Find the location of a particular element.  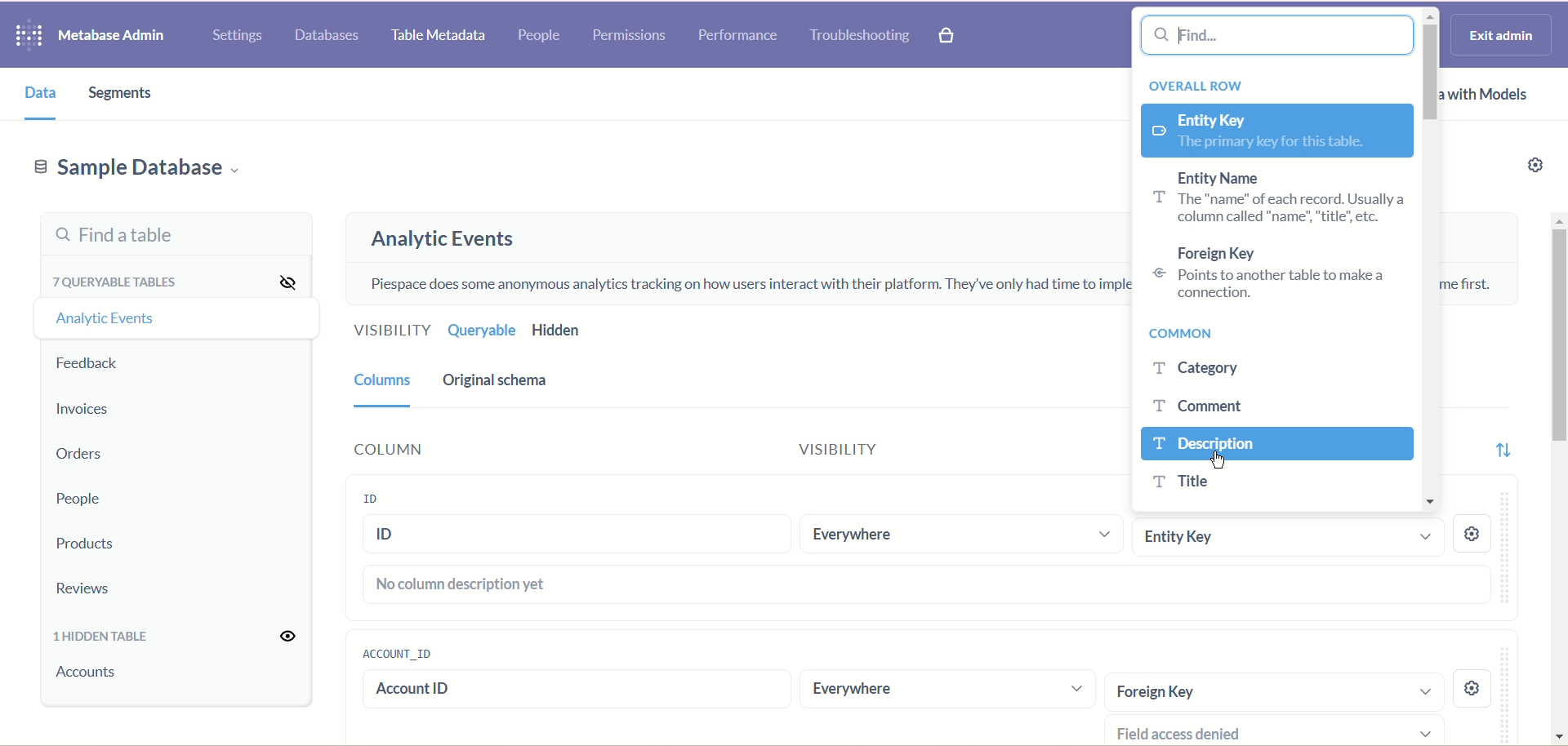

paid features is located at coordinates (948, 37).